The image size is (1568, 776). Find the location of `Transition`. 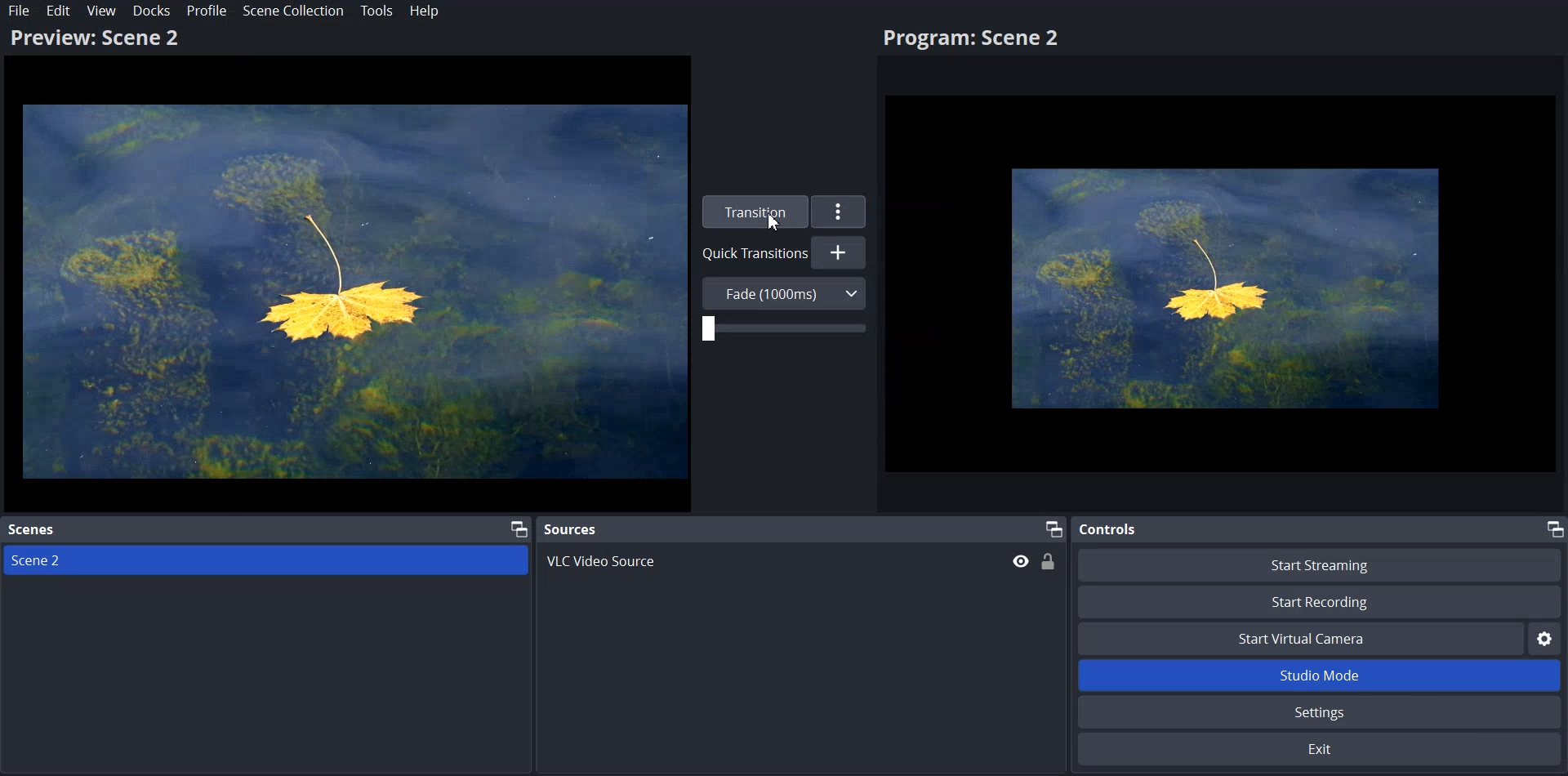

Transition is located at coordinates (754, 212).